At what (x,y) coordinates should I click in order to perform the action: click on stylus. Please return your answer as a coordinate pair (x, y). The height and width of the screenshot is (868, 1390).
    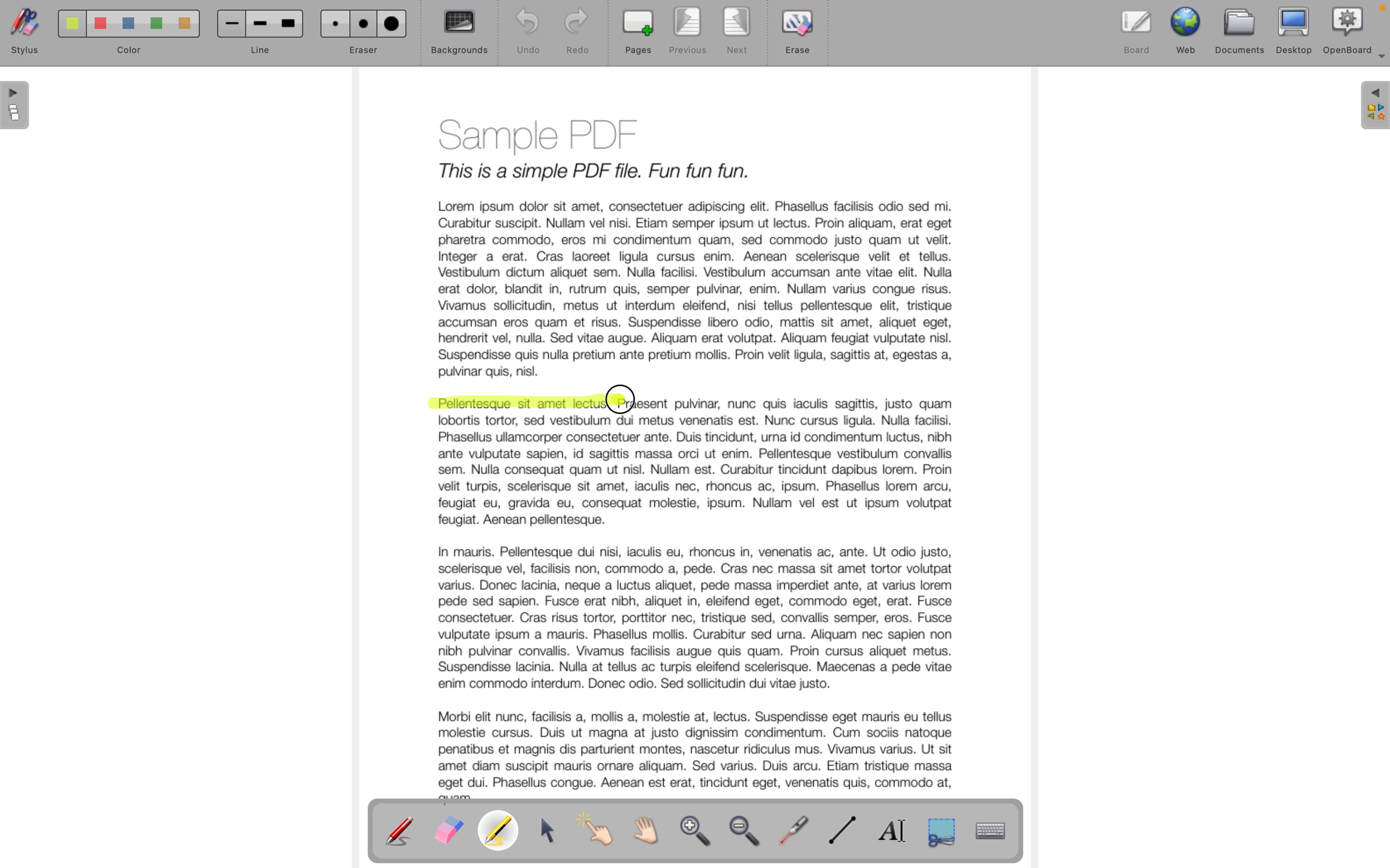
    Looking at the image, I should click on (22, 34).